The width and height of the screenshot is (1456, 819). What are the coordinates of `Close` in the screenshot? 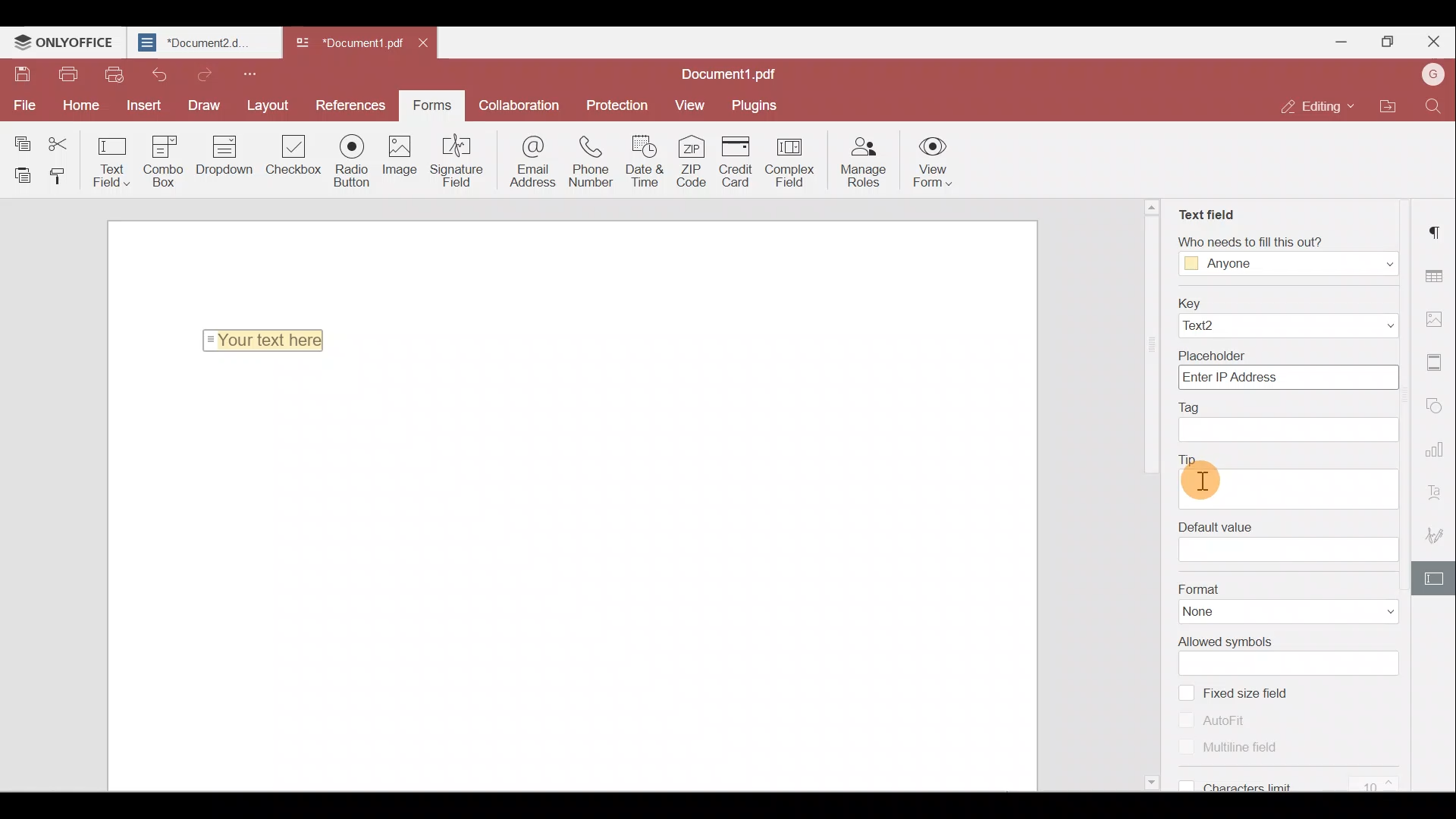 It's located at (1434, 39).